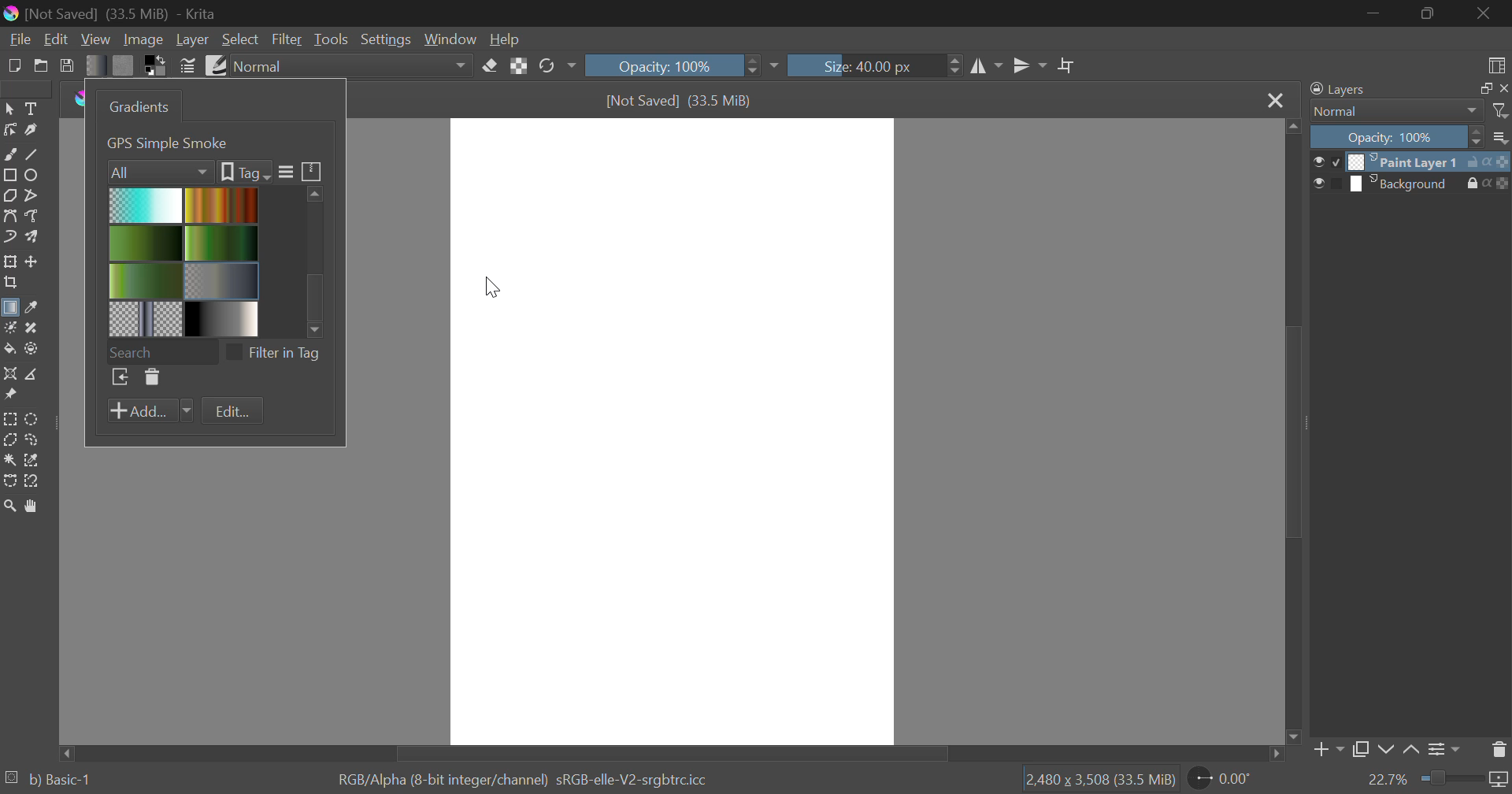 Image resolution: width=1512 pixels, height=794 pixels. Describe the element at coordinates (219, 318) in the screenshot. I see `Gradient 8` at that location.